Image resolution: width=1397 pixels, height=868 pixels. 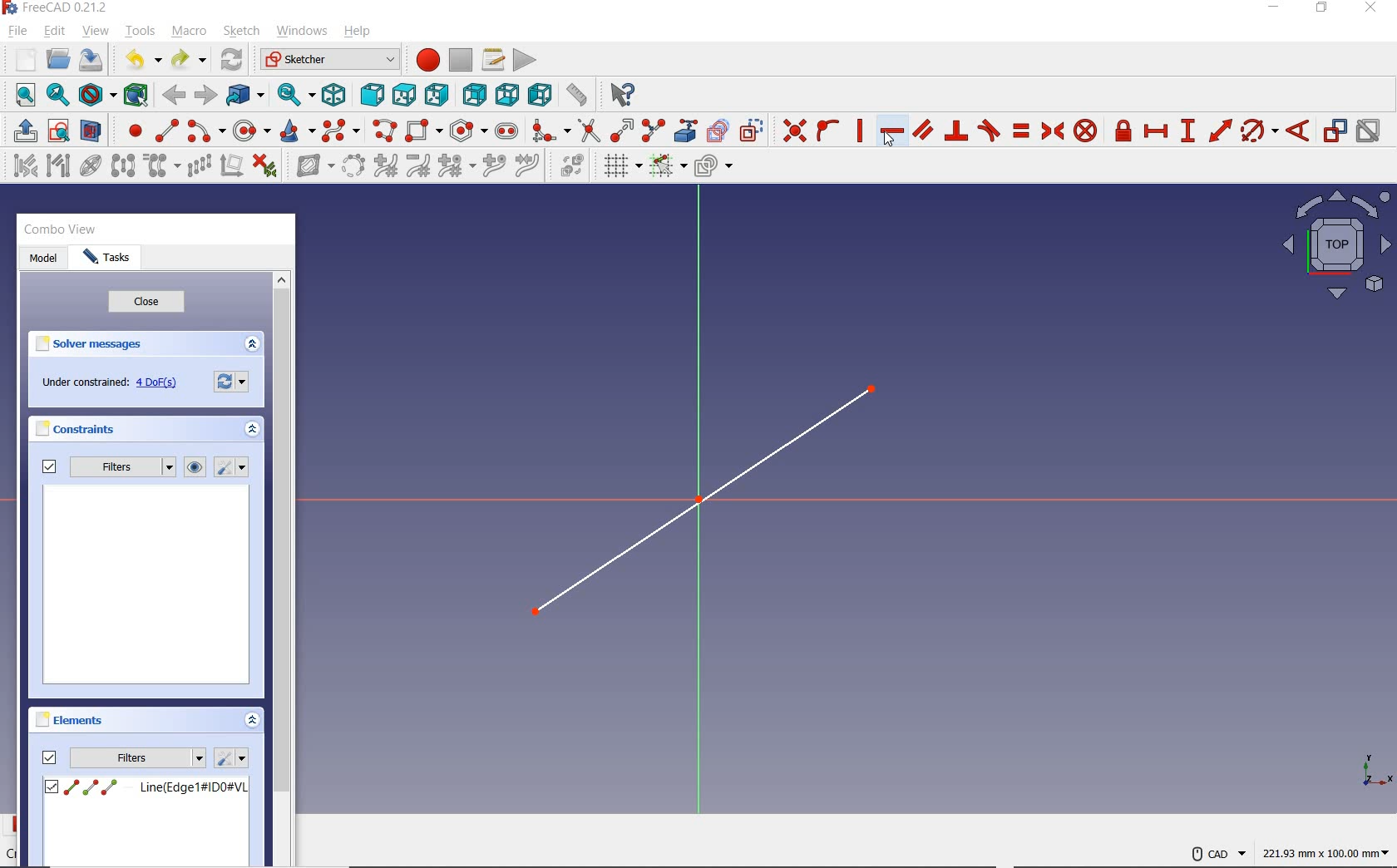 What do you see at coordinates (251, 429) in the screenshot?
I see `COLLAPSE` at bounding box center [251, 429].